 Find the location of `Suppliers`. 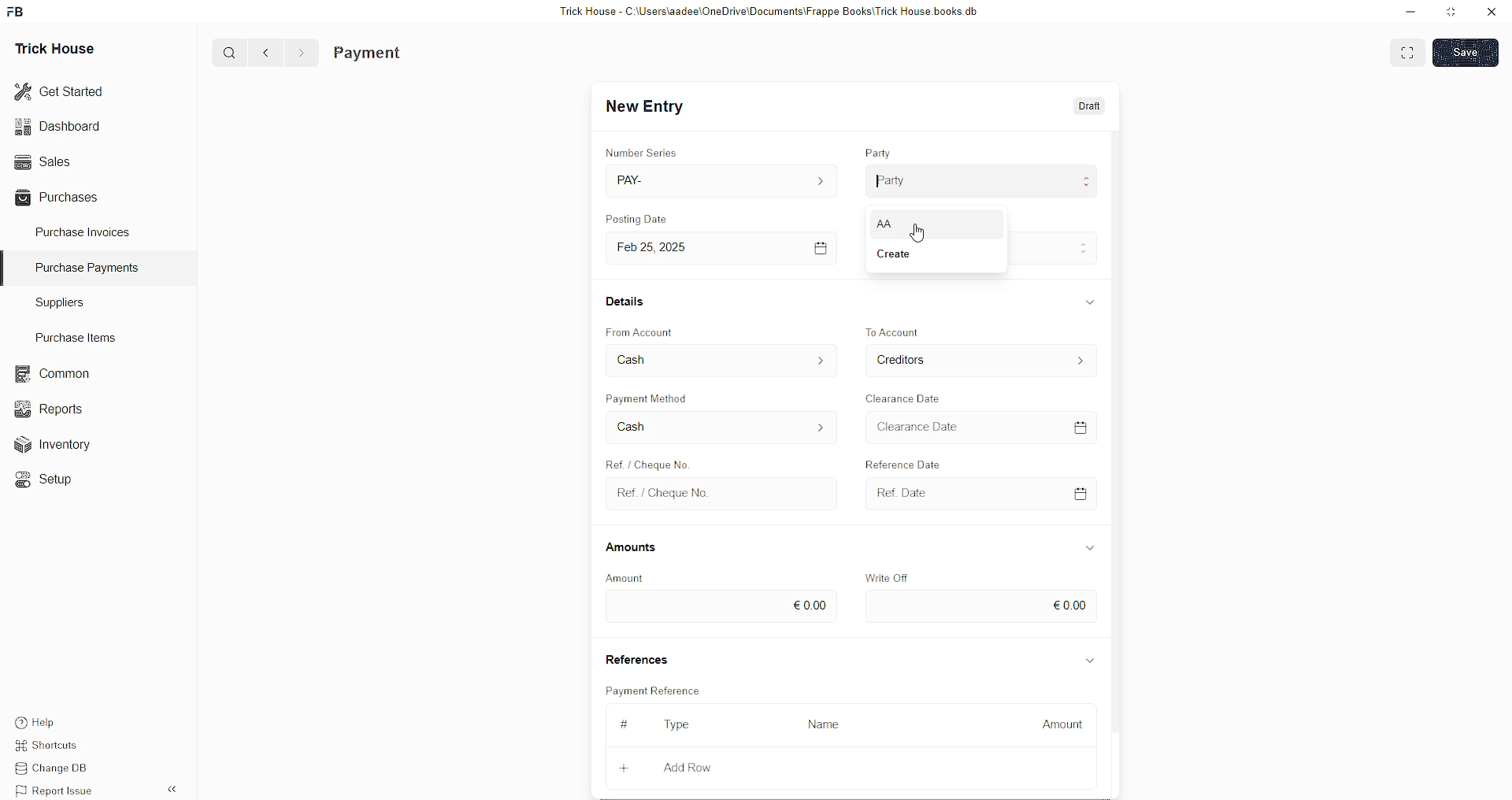

Suppliers is located at coordinates (54, 302).